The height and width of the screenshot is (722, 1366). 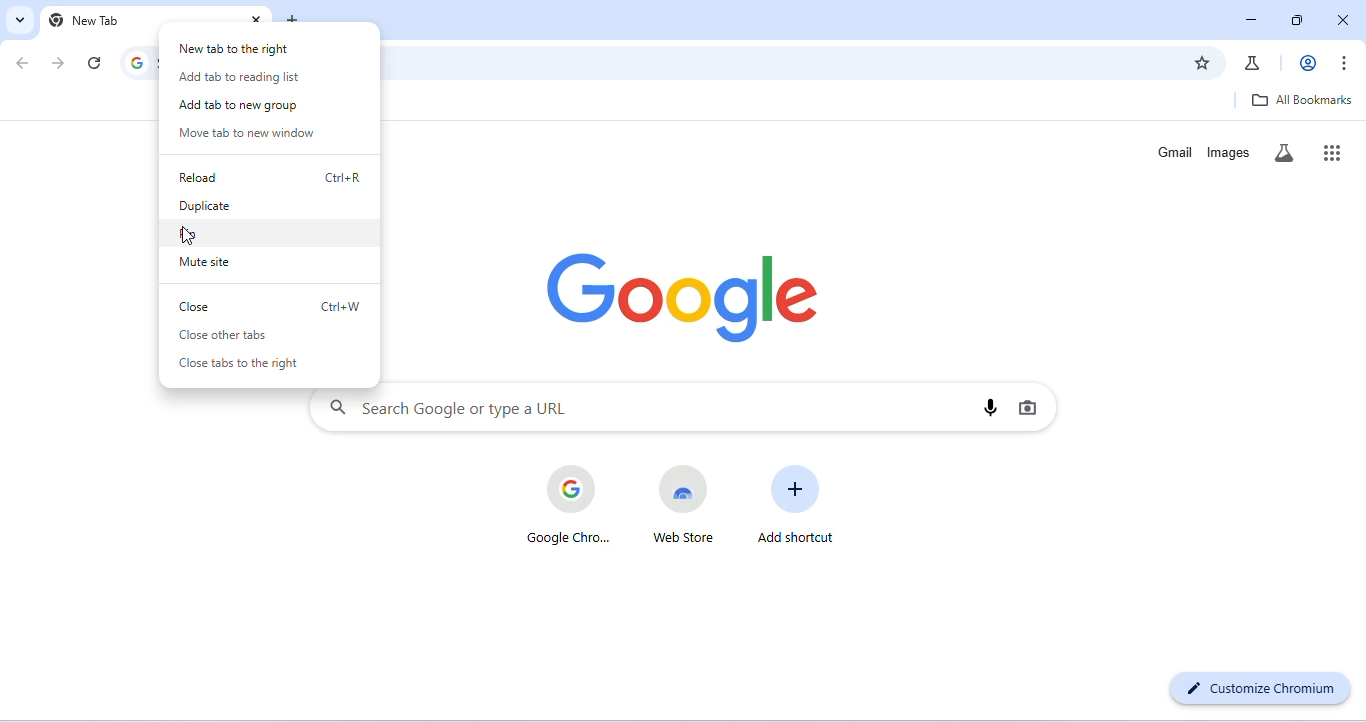 What do you see at coordinates (248, 365) in the screenshot?
I see `close tabs to right` at bounding box center [248, 365].